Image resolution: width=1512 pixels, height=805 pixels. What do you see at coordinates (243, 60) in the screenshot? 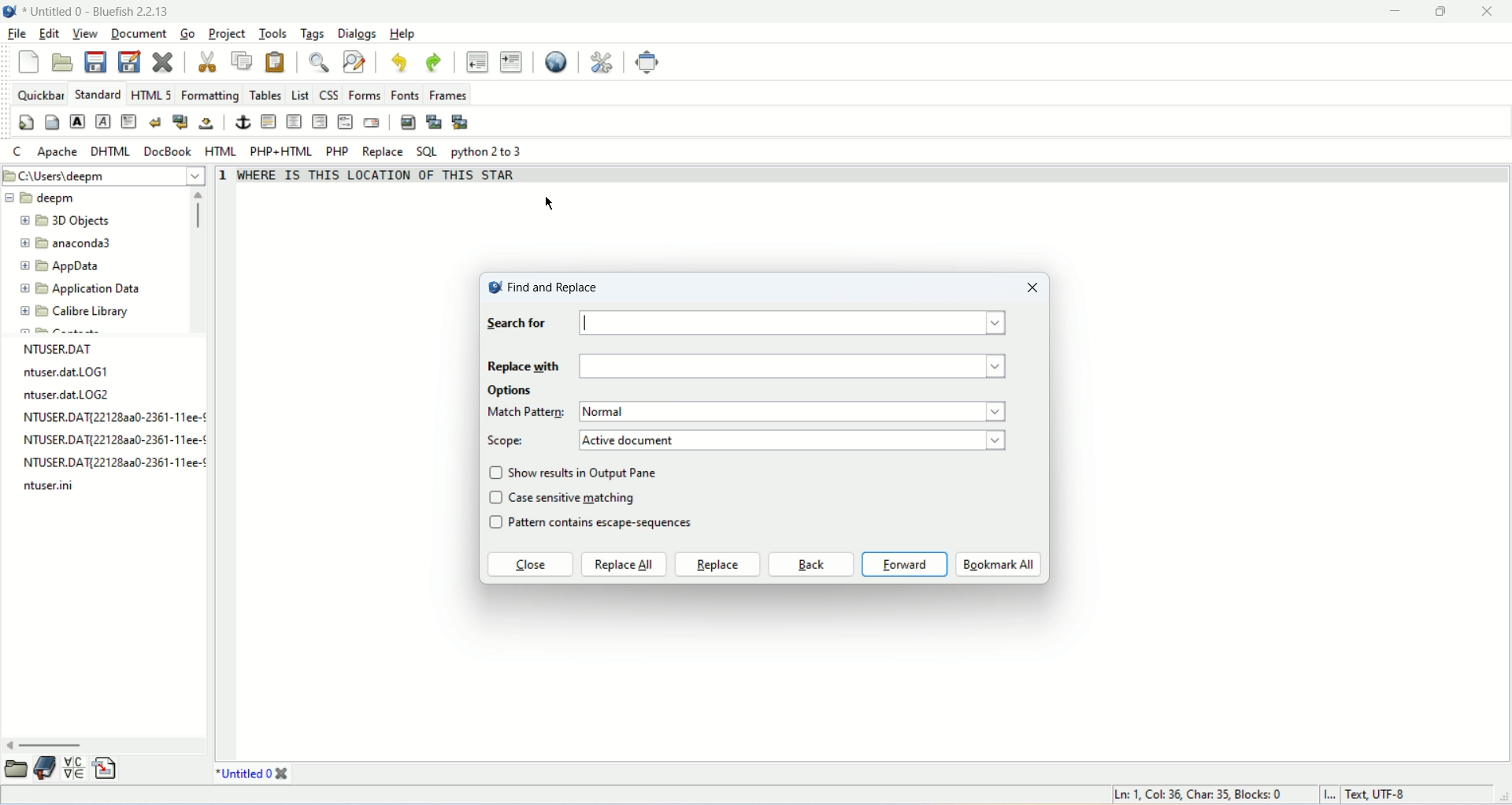
I see `copy` at bounding box center [243, 60].